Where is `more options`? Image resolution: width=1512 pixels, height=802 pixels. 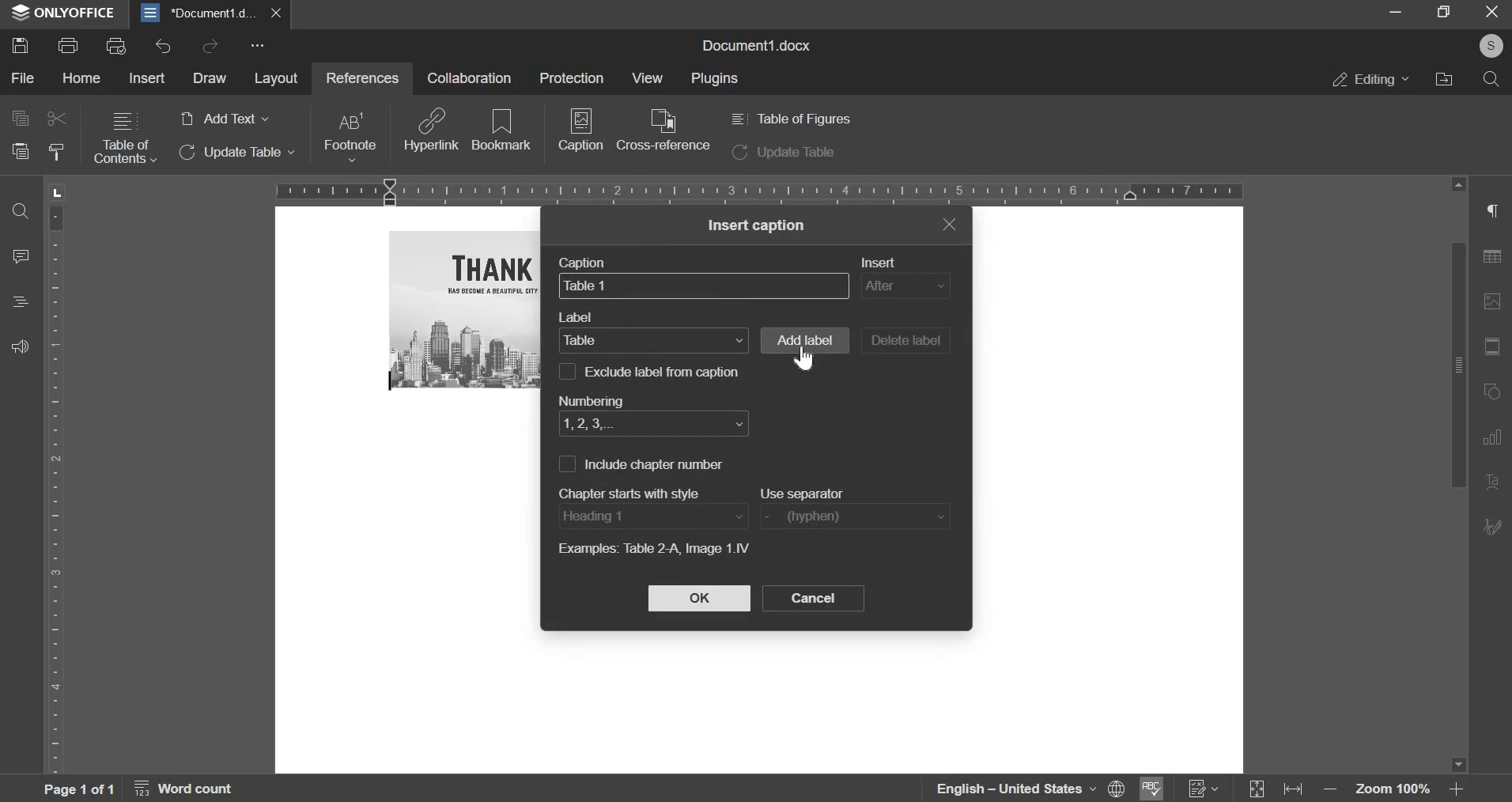 more options is located at coordinates (260, 47).